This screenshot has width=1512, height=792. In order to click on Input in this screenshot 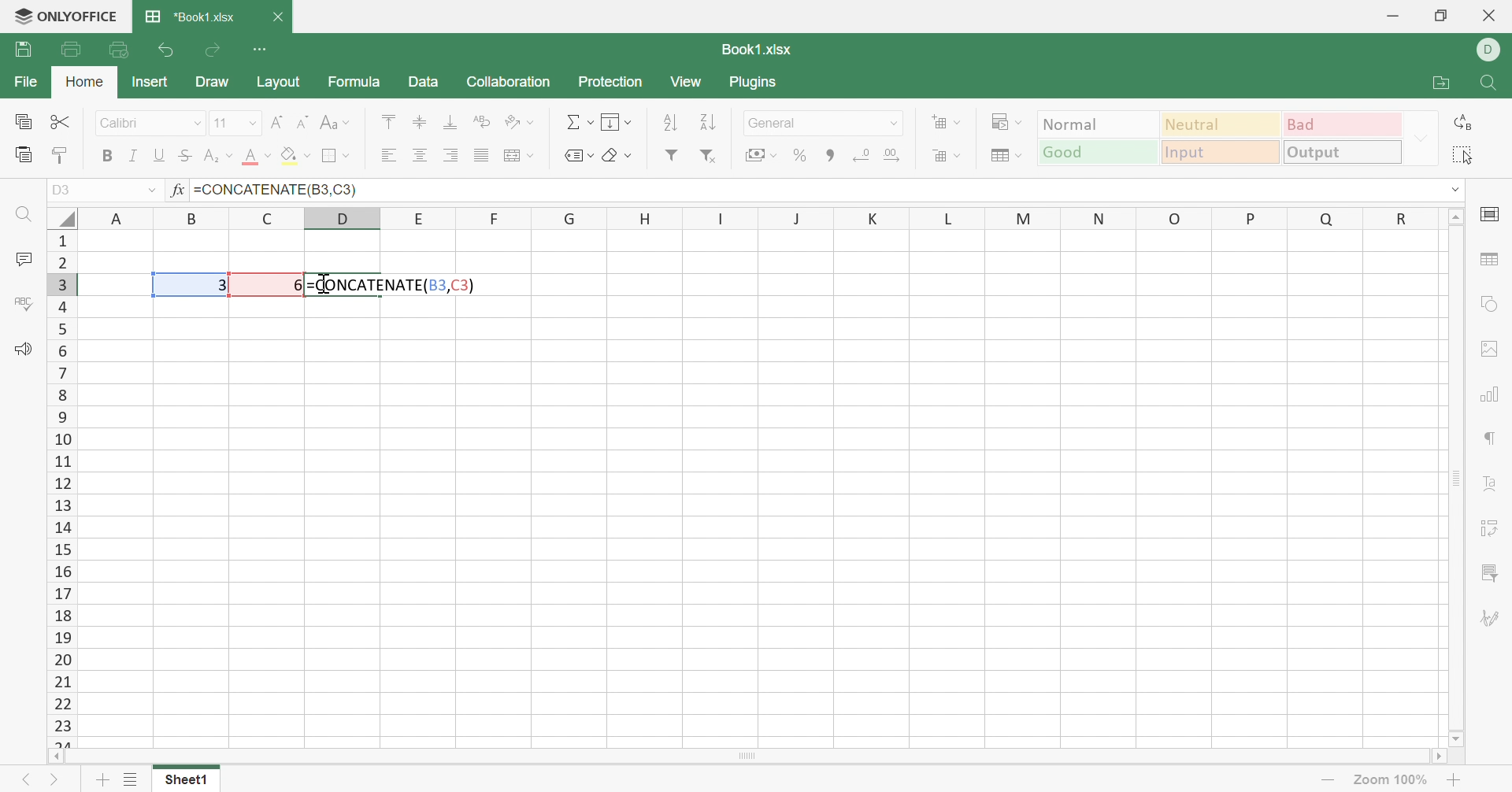, I will do `click(1220, 151)`.